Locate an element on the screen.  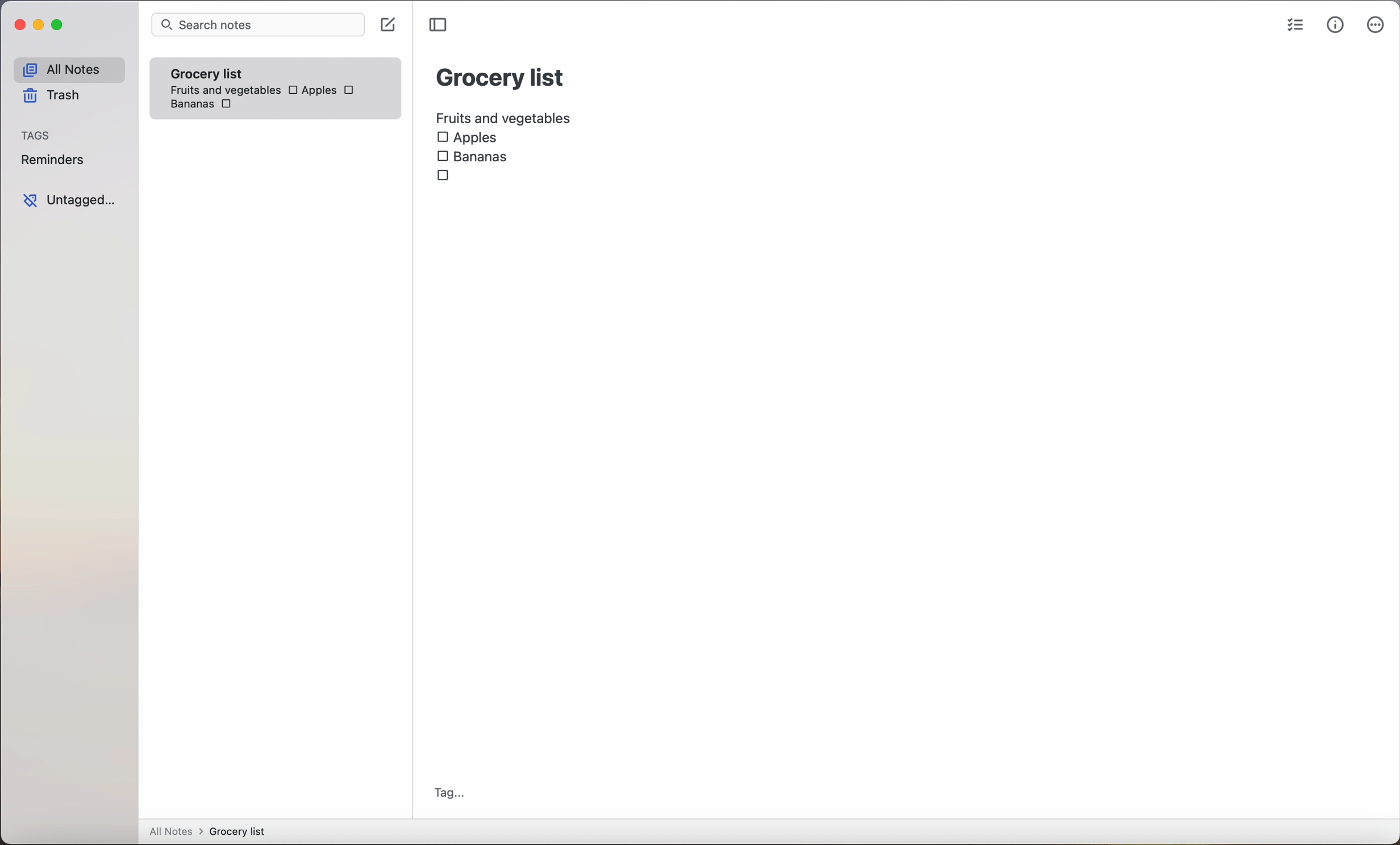
checklist is located at coordinates (1293, 27).